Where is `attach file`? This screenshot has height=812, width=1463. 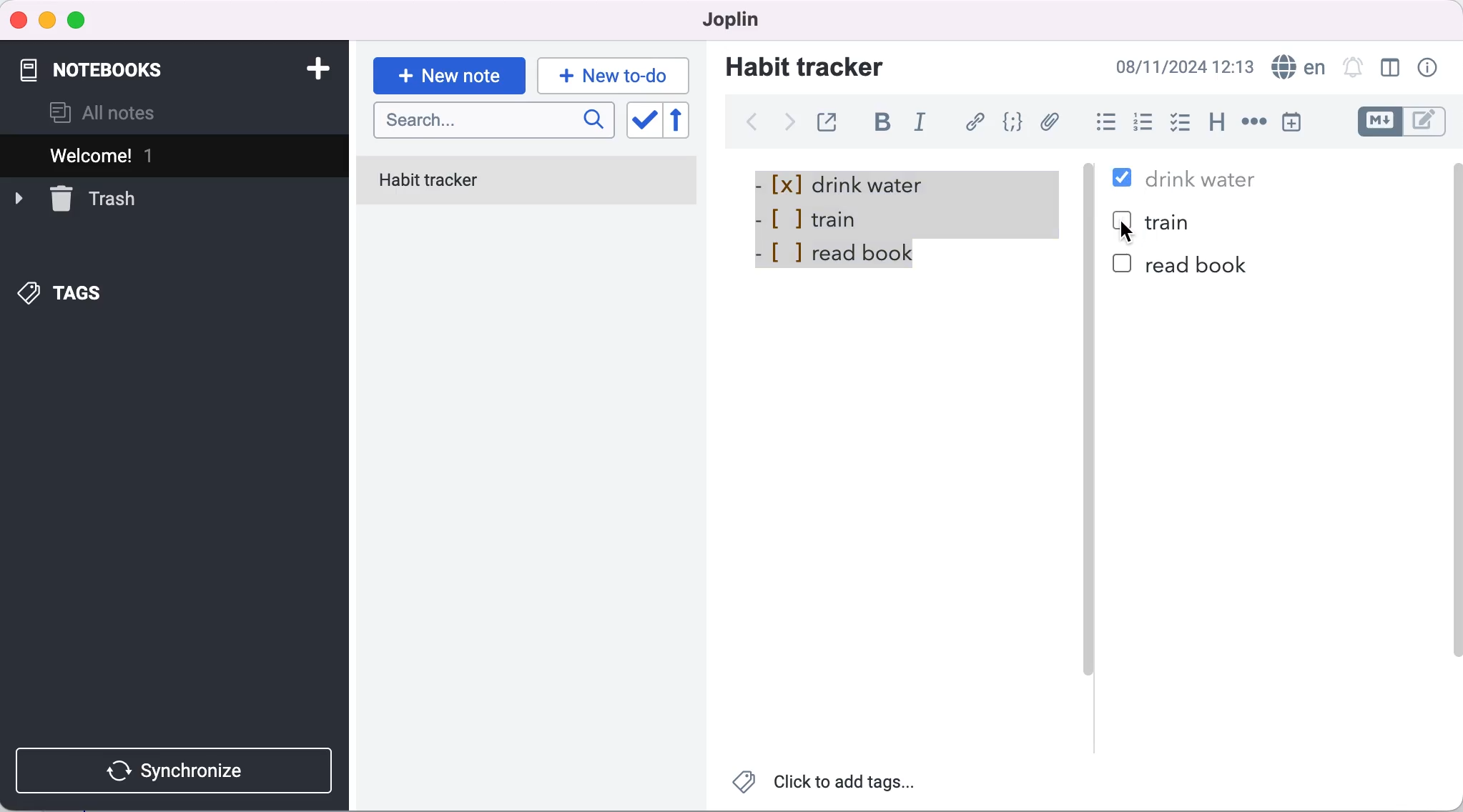
attach file is located at coordinates (1053, 122).